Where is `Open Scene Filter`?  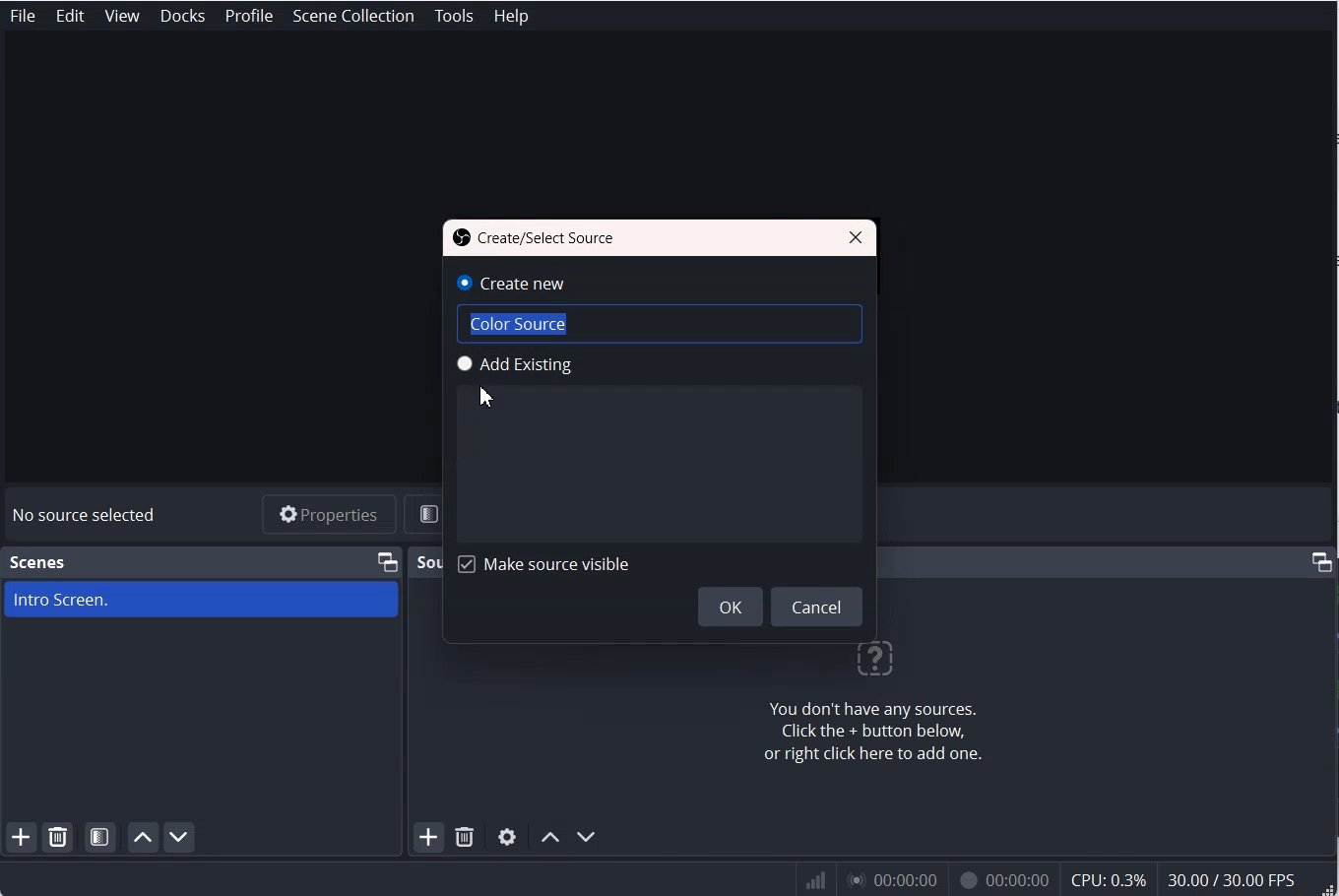 Open Scene Filter is located at coordinates (101, 837).